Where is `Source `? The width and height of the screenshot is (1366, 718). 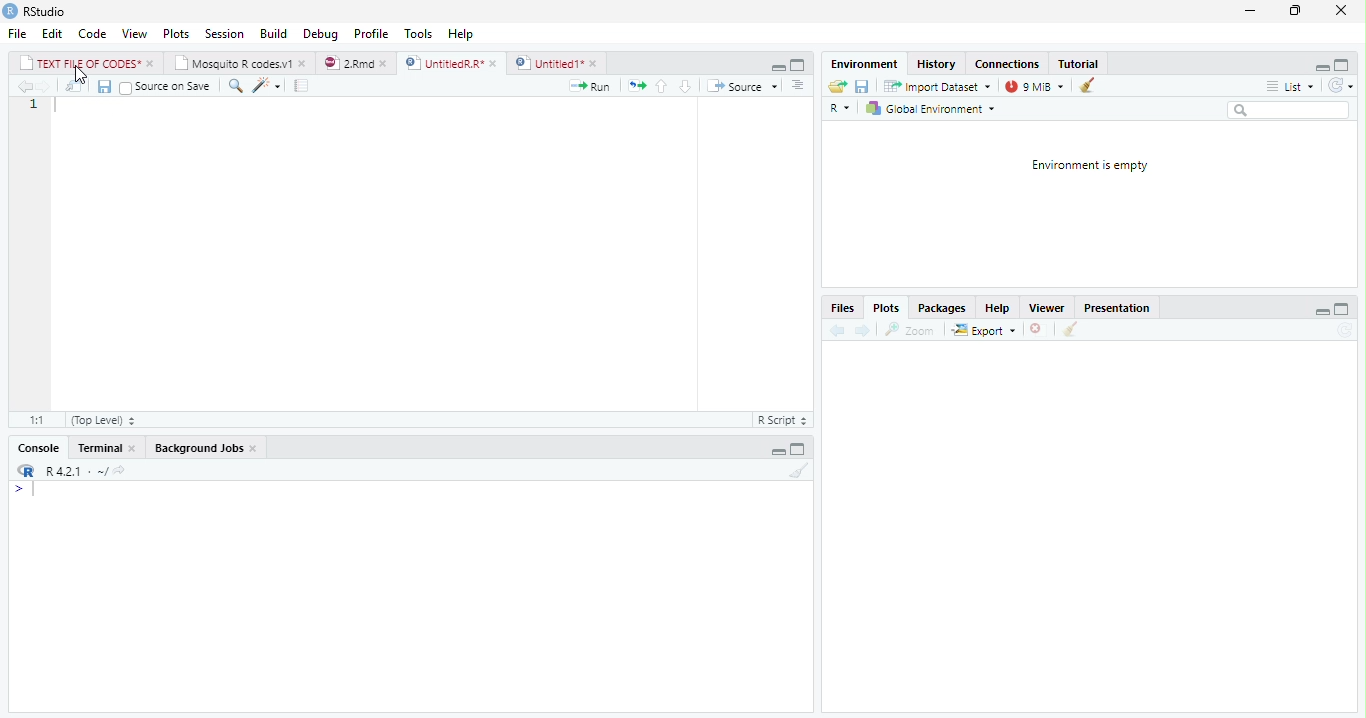 Source  is located at coordinates (748, 87).